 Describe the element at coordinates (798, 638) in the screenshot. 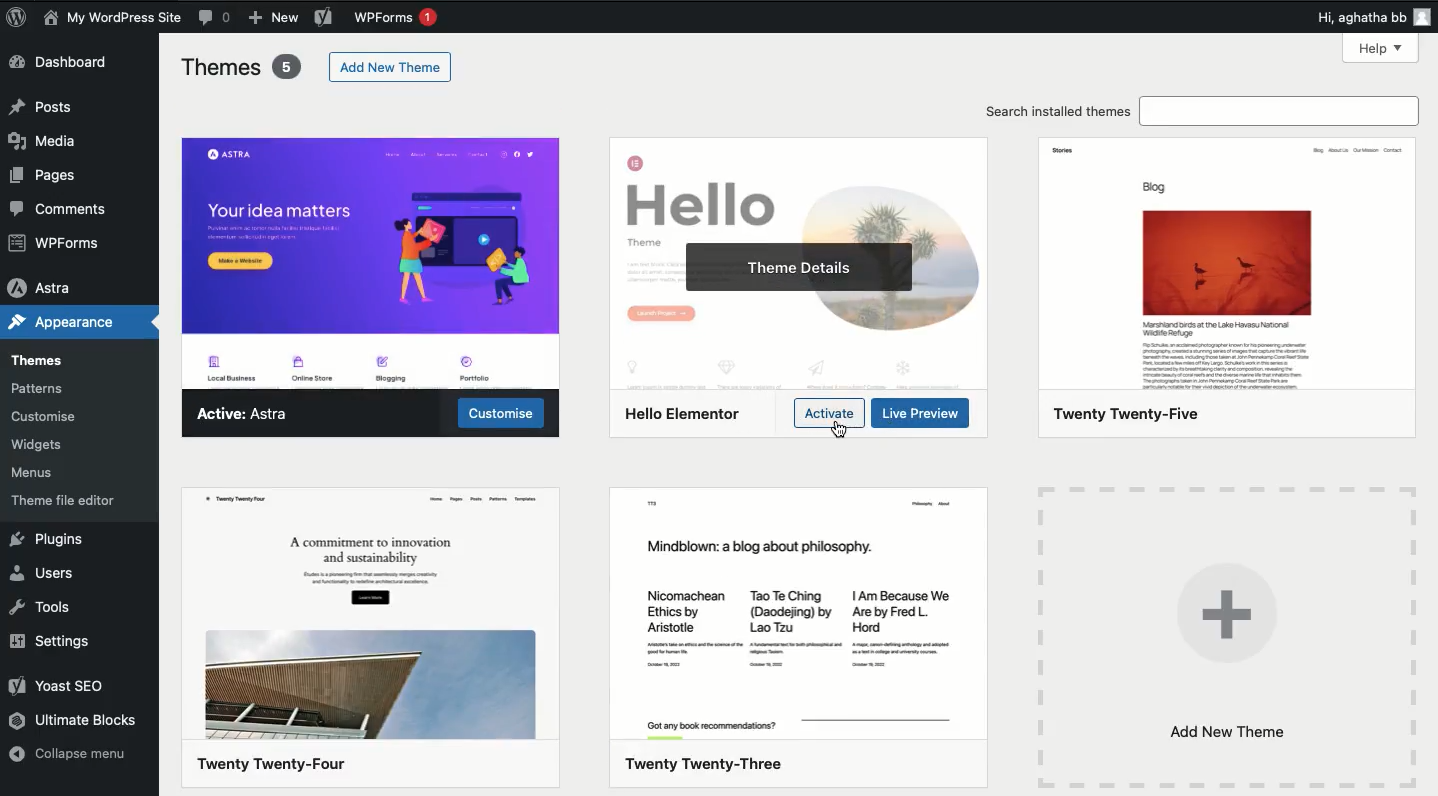

I see `2023` at that location.